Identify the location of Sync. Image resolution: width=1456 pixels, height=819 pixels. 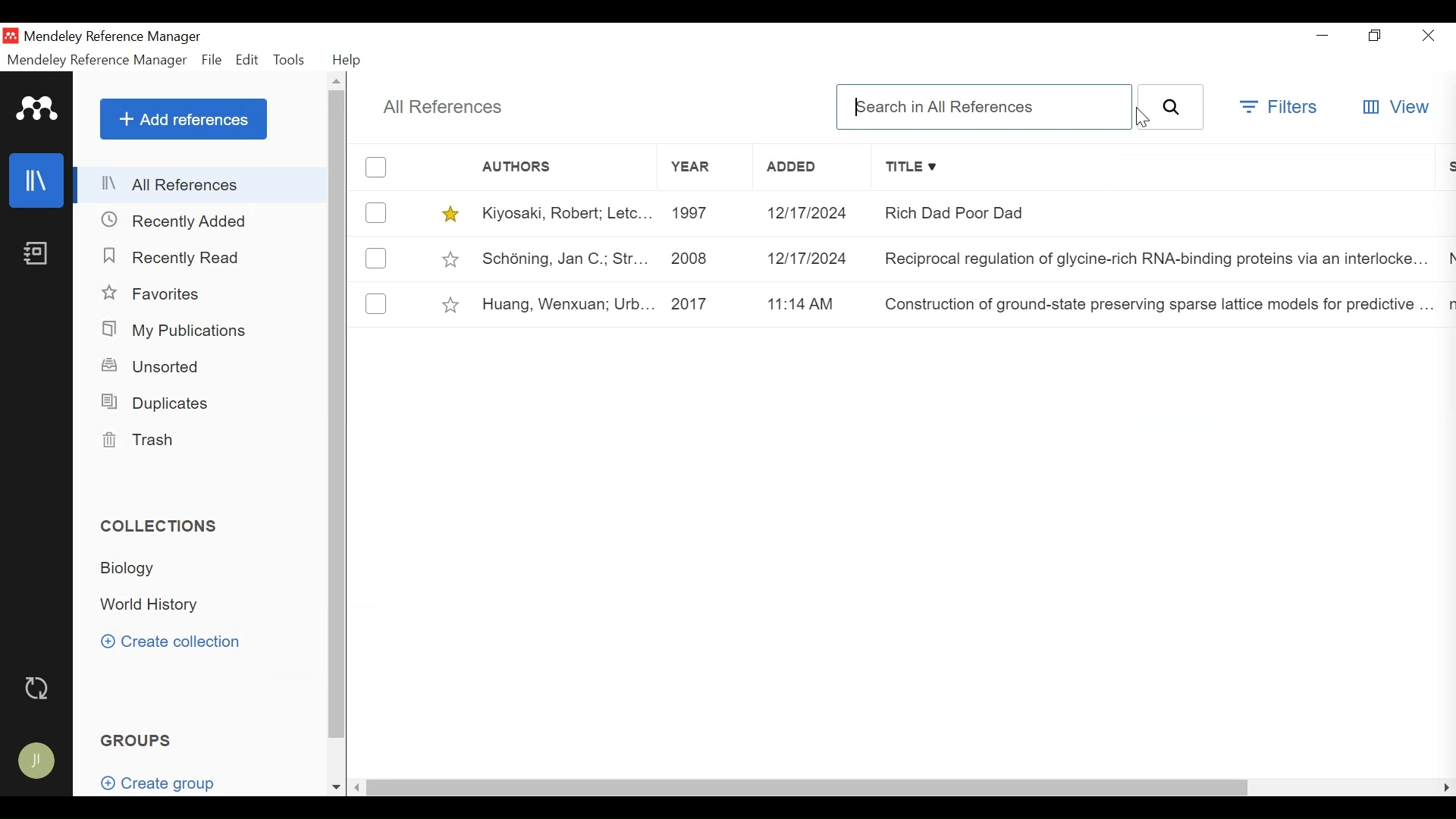
(39, 688).